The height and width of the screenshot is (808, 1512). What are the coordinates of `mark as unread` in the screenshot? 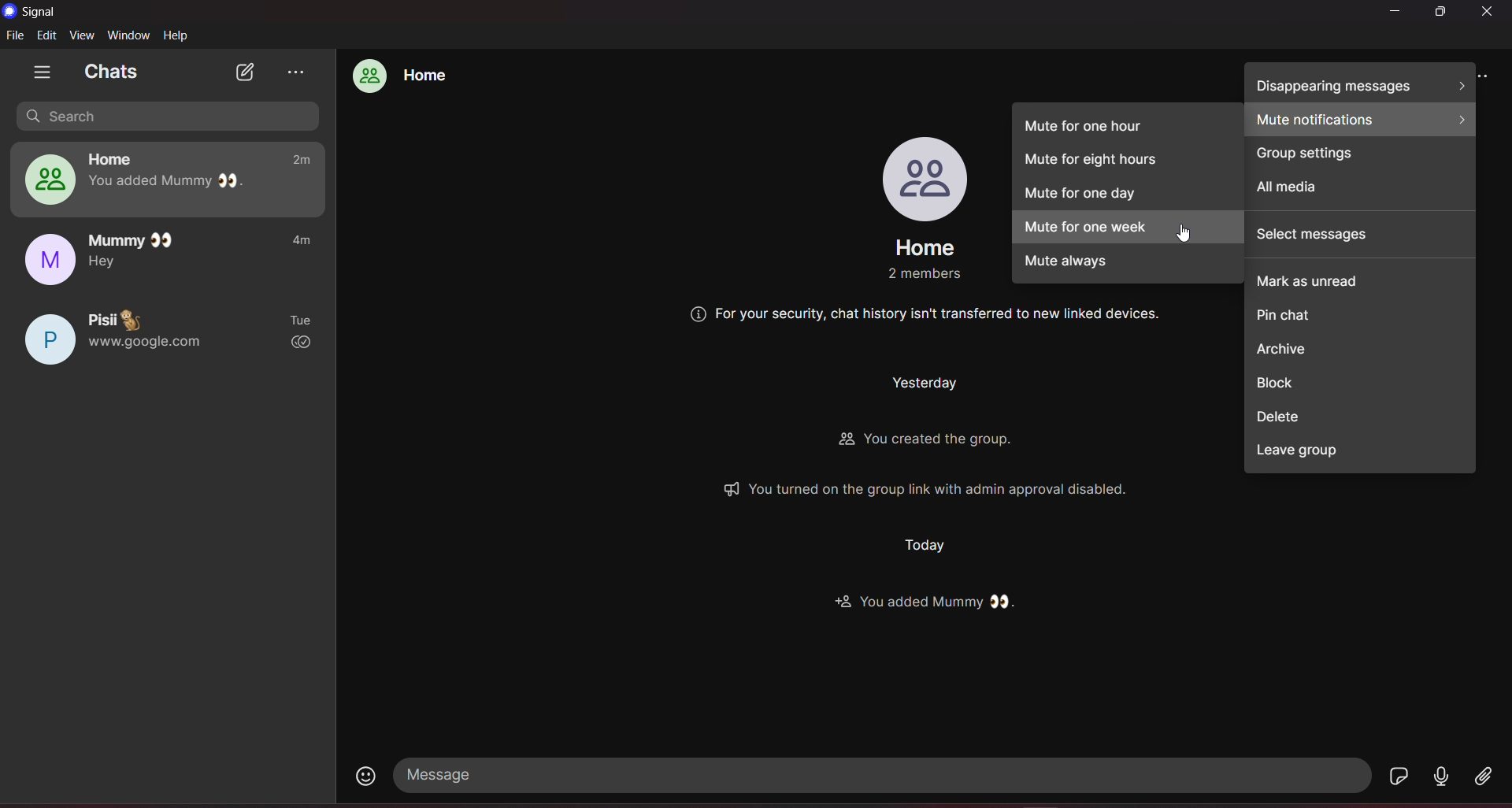 It's located at (1367, 276).